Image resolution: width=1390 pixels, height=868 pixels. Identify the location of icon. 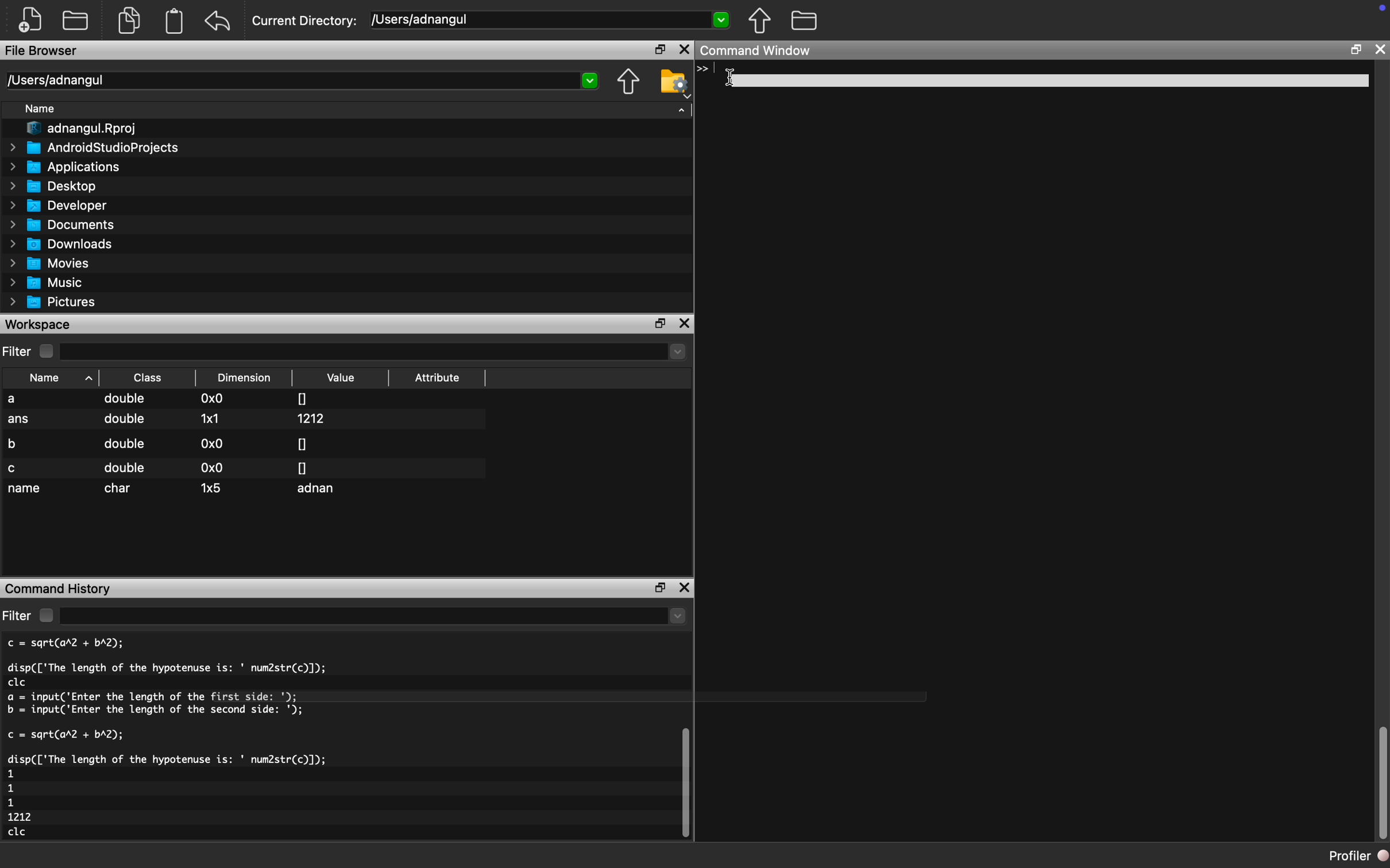
(1375, 11).